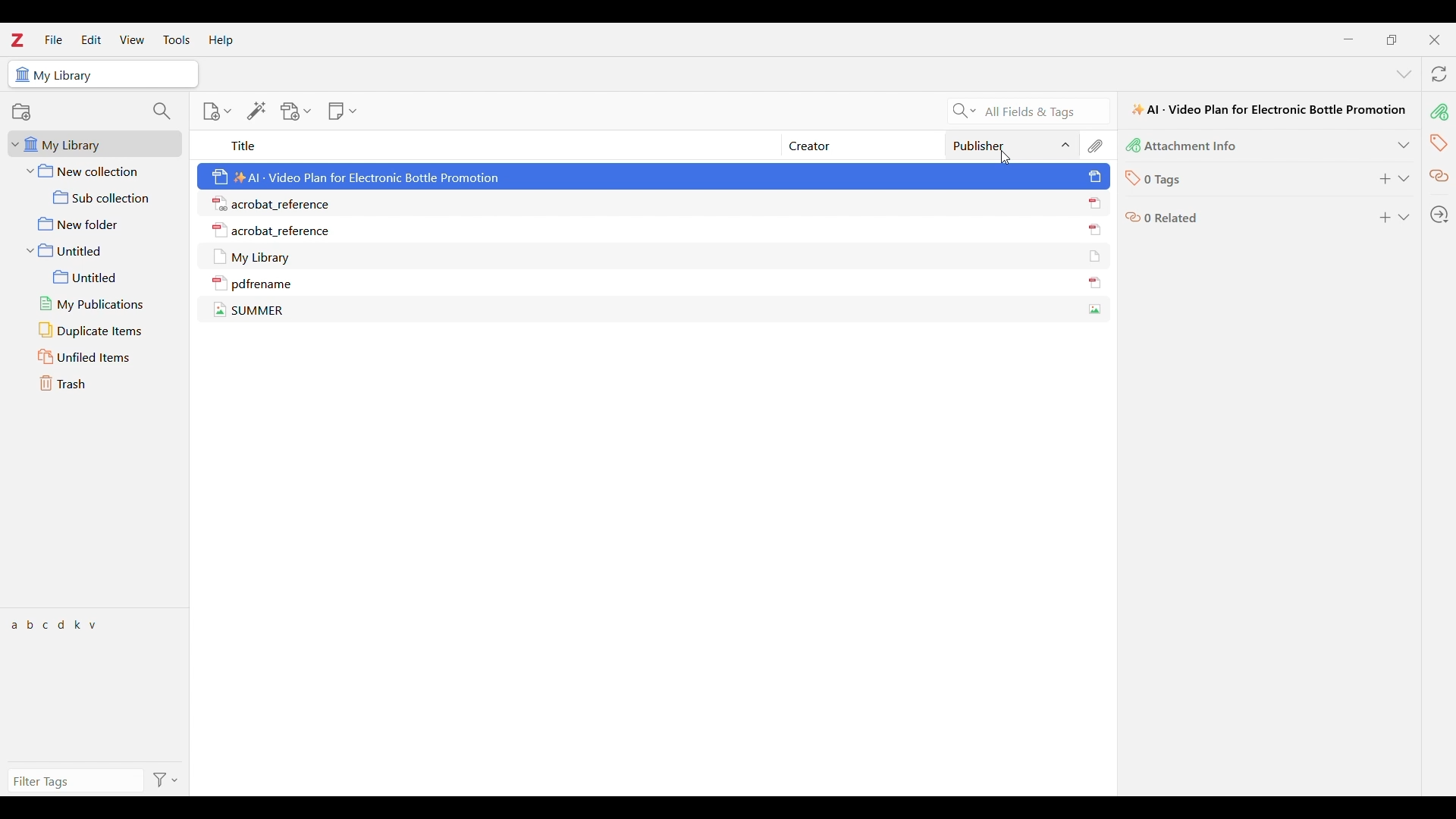 The width and height of the screenshot is (1456, 819). What do you see at coordinates (97, 250) in the screenshot?
I see `Untitled` at bounding box center [97, 250].